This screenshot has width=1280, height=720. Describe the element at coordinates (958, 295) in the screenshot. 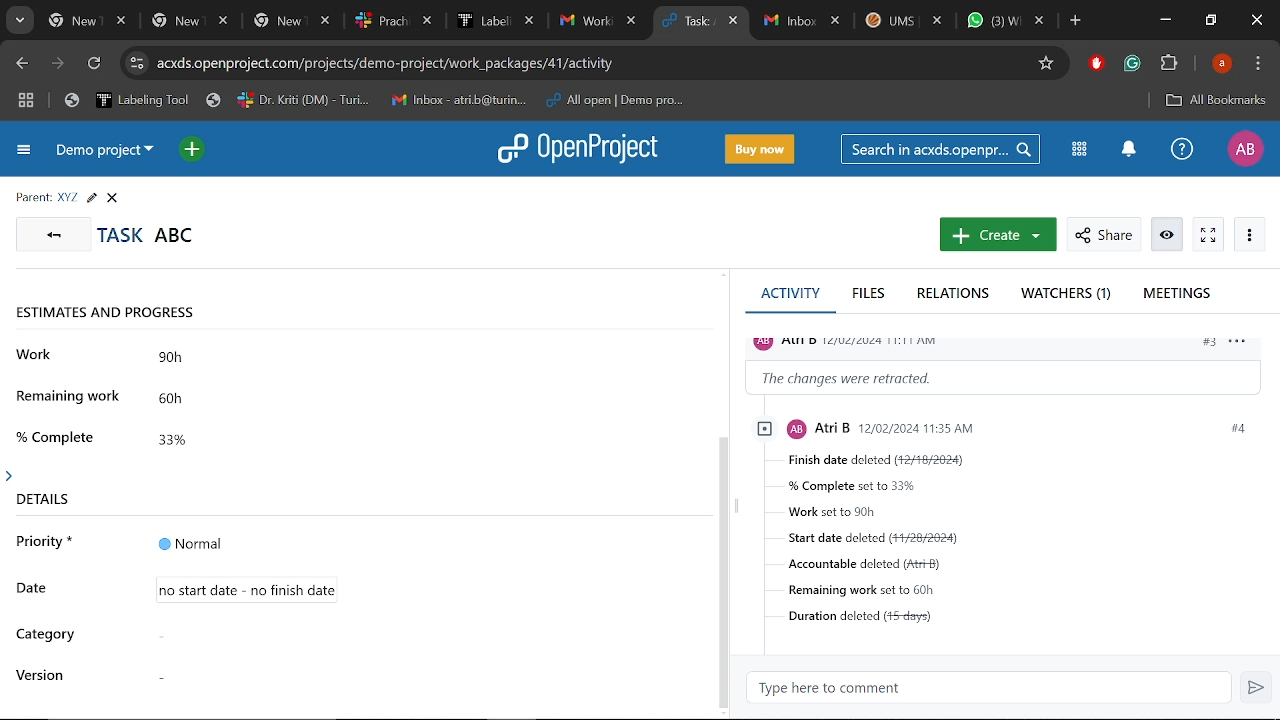

I see `Relations` at that location.